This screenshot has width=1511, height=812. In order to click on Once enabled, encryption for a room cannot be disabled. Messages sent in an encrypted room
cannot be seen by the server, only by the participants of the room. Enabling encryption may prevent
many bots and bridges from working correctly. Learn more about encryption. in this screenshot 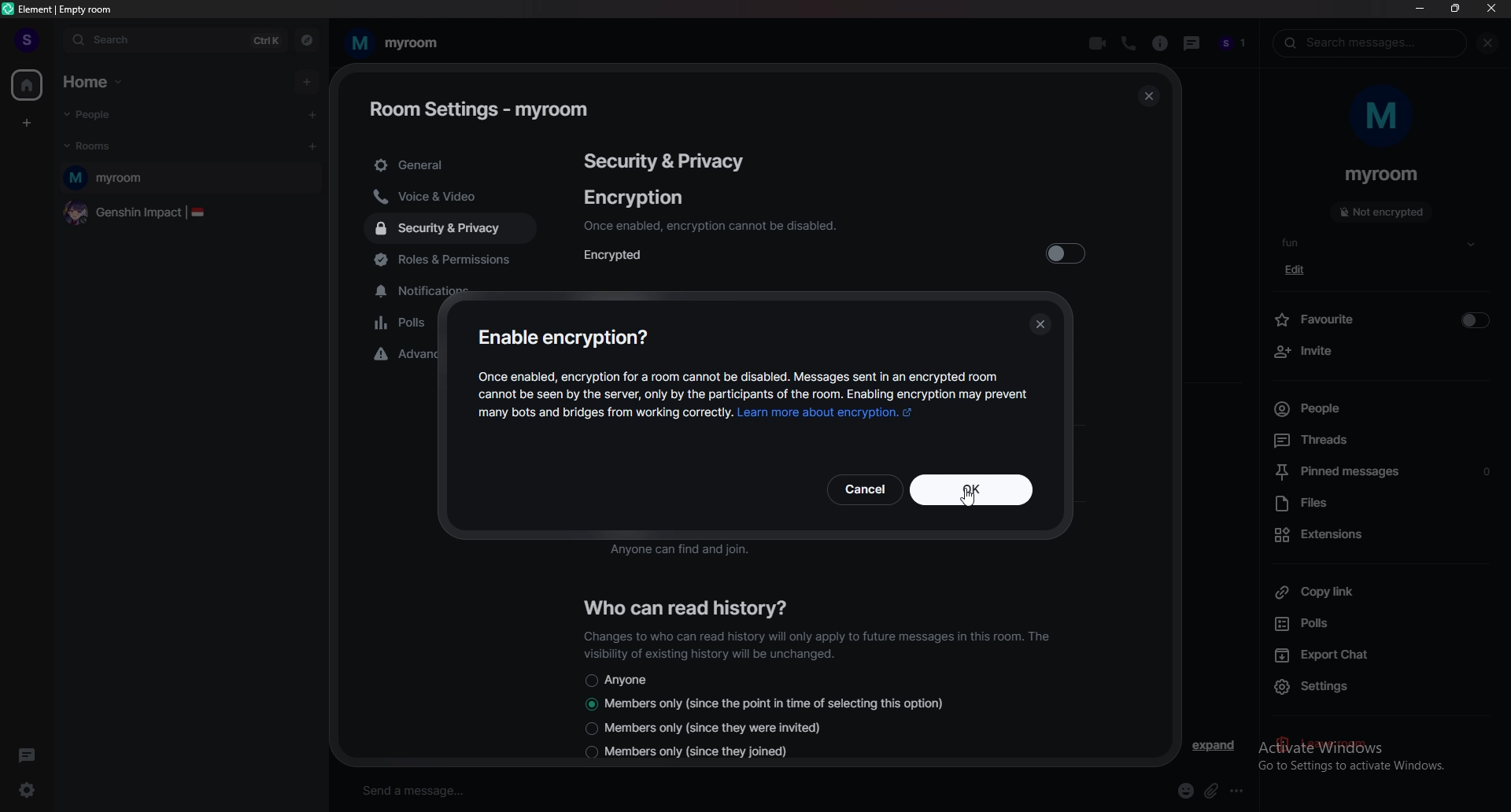, I will do `click(755, 399)`.